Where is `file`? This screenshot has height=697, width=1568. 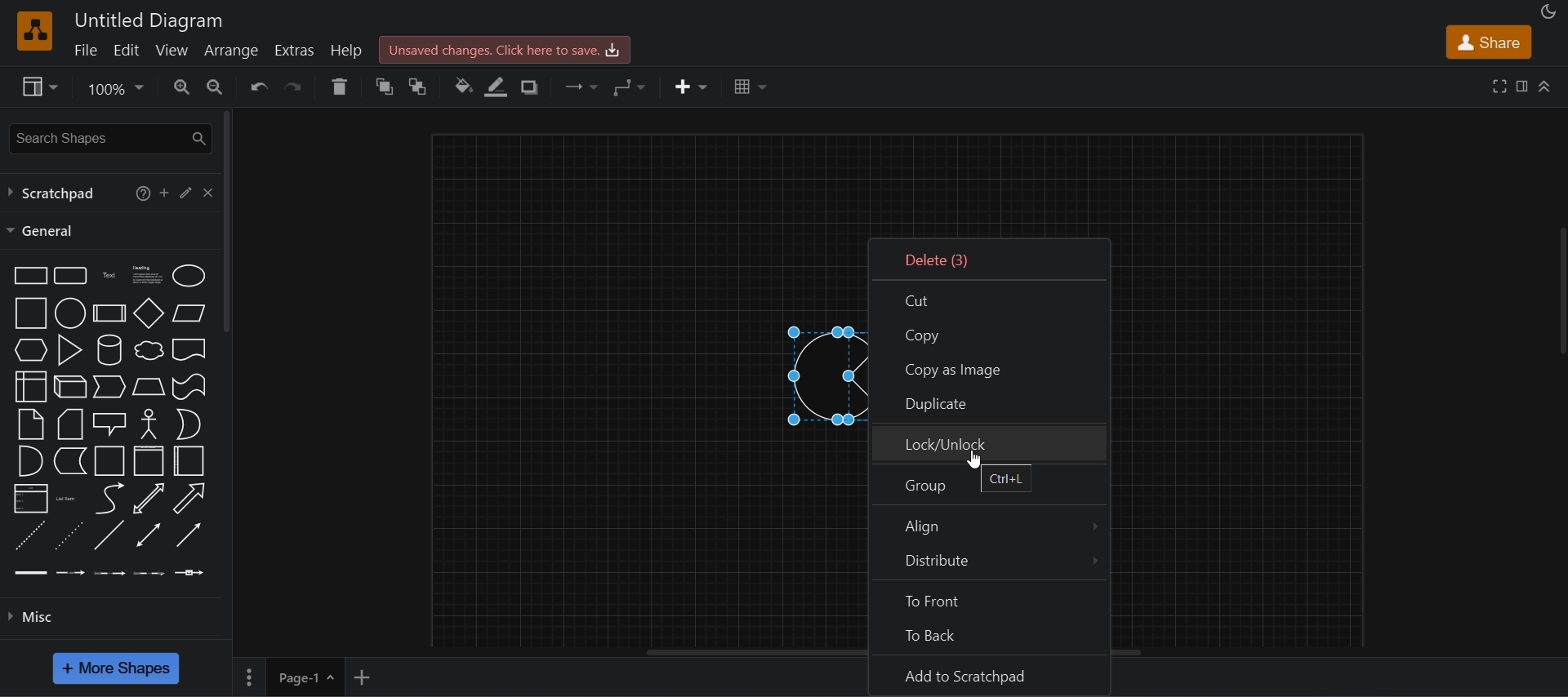
file is located at coordinates (84, 49).